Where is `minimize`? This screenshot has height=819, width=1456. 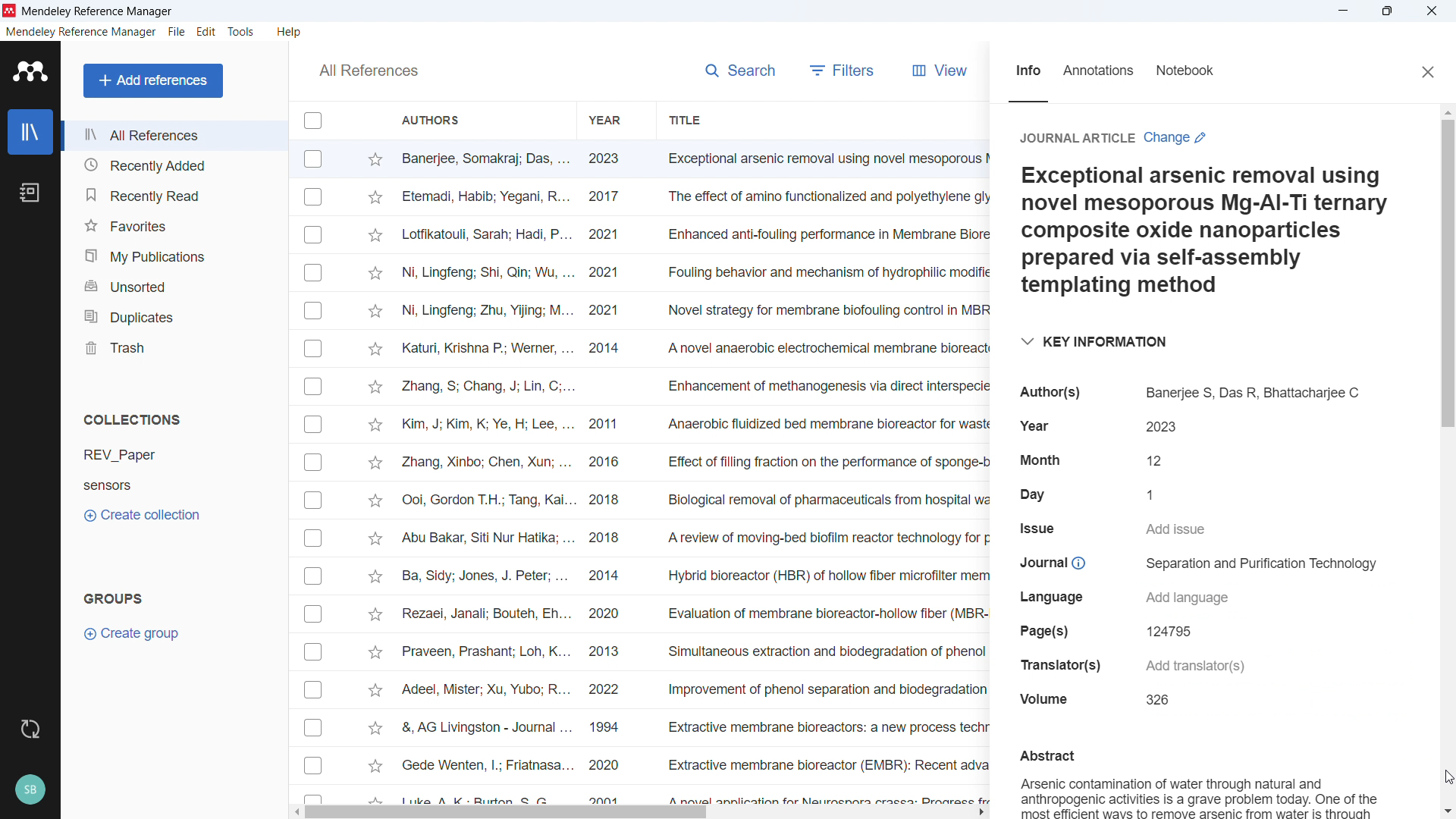 minimize is located at coordinates (1344, 11).